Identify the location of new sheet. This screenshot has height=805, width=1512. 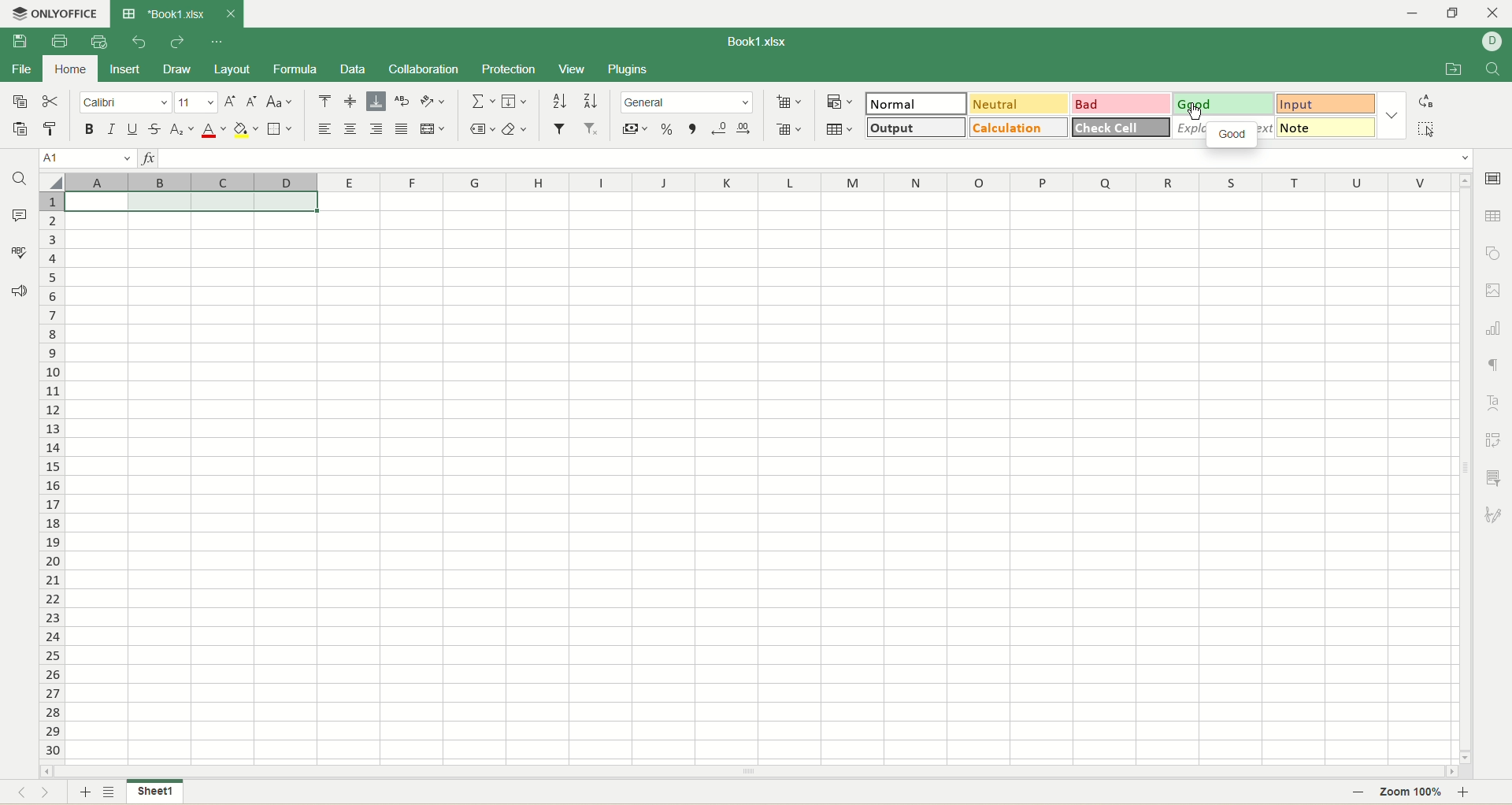
(83, 793).